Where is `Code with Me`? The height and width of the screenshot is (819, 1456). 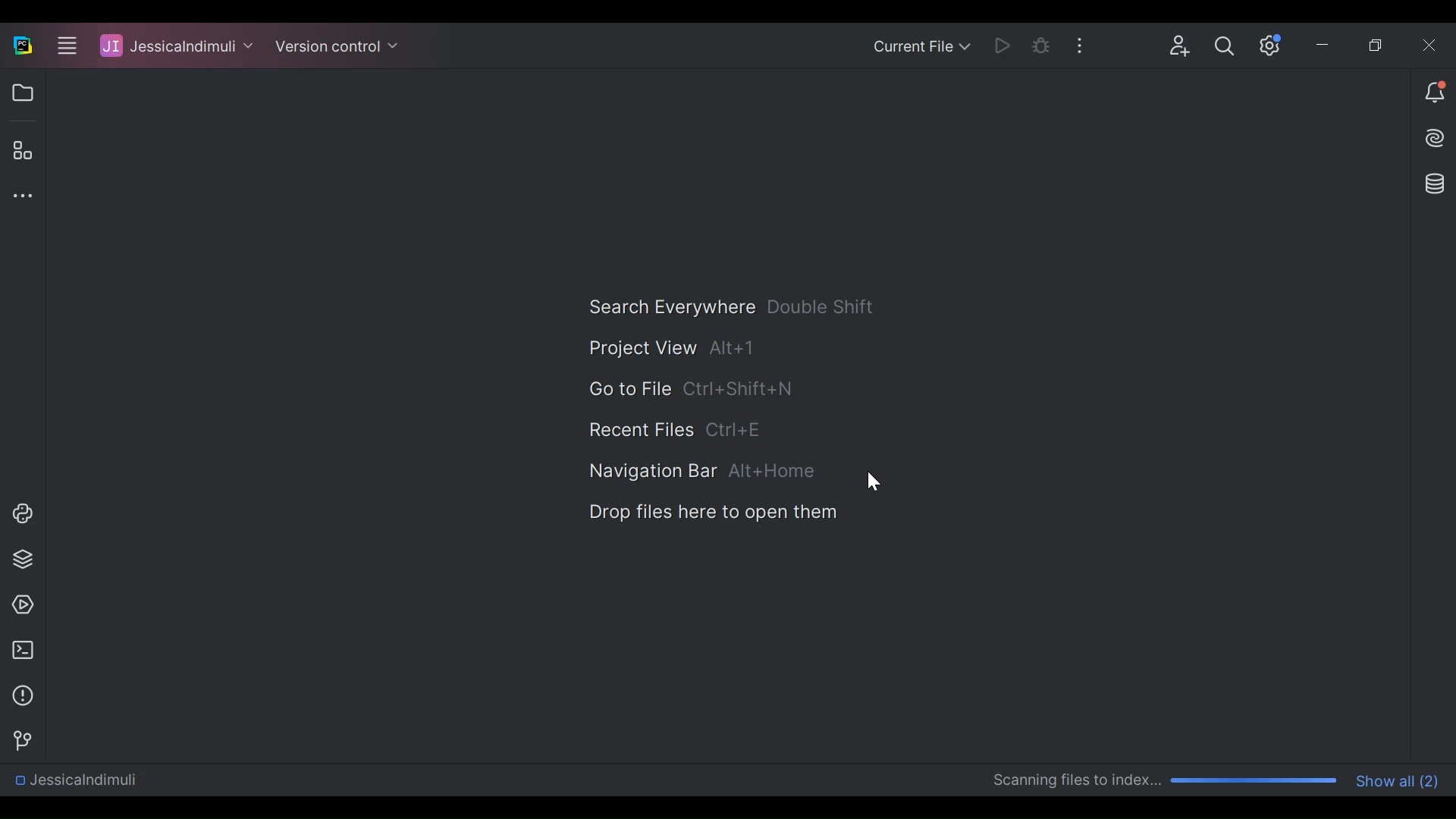
Code with Me is located at coordinates (1181, 44).